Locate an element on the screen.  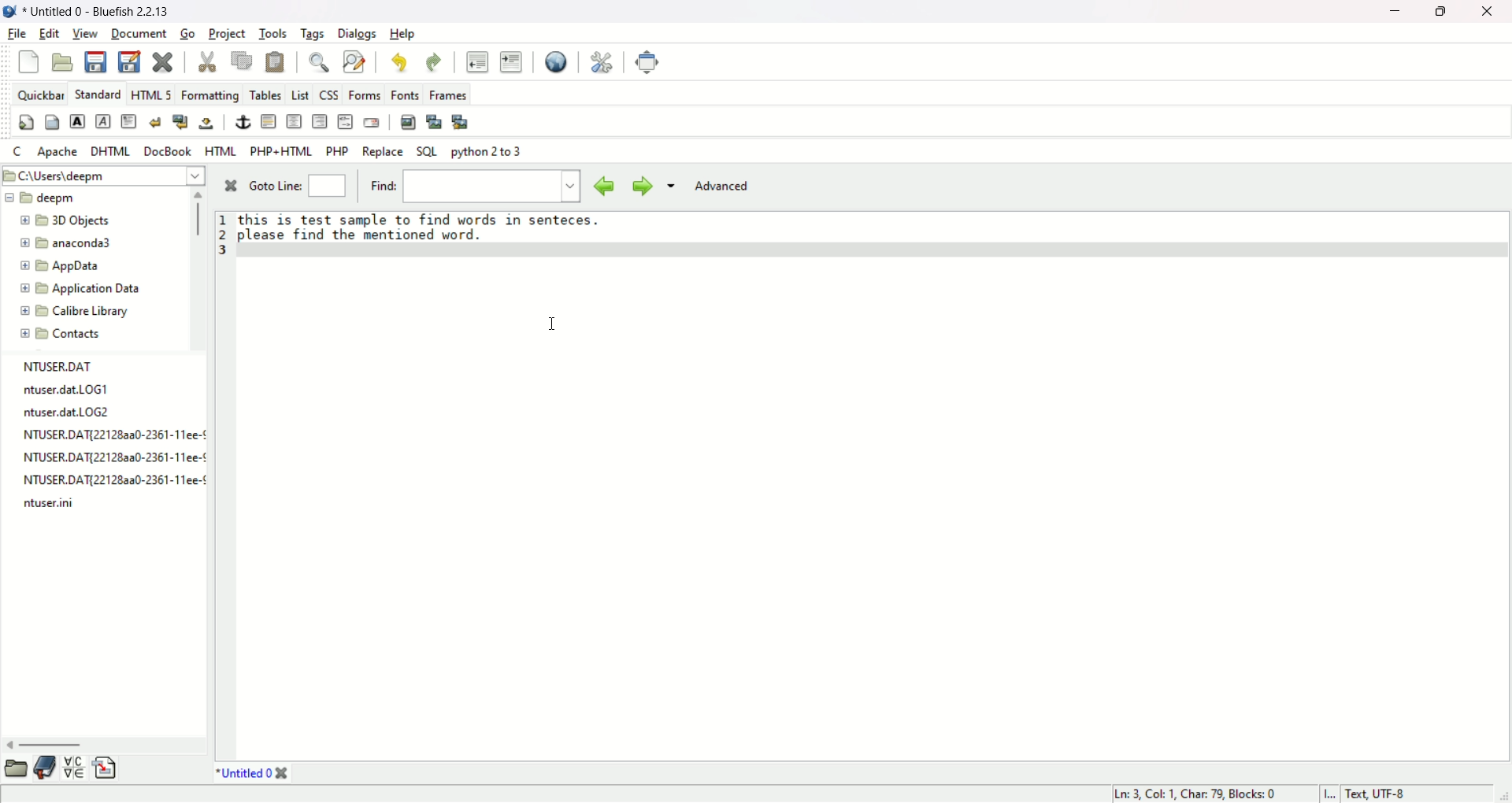
dialogs is located at coordinates (357, 33).